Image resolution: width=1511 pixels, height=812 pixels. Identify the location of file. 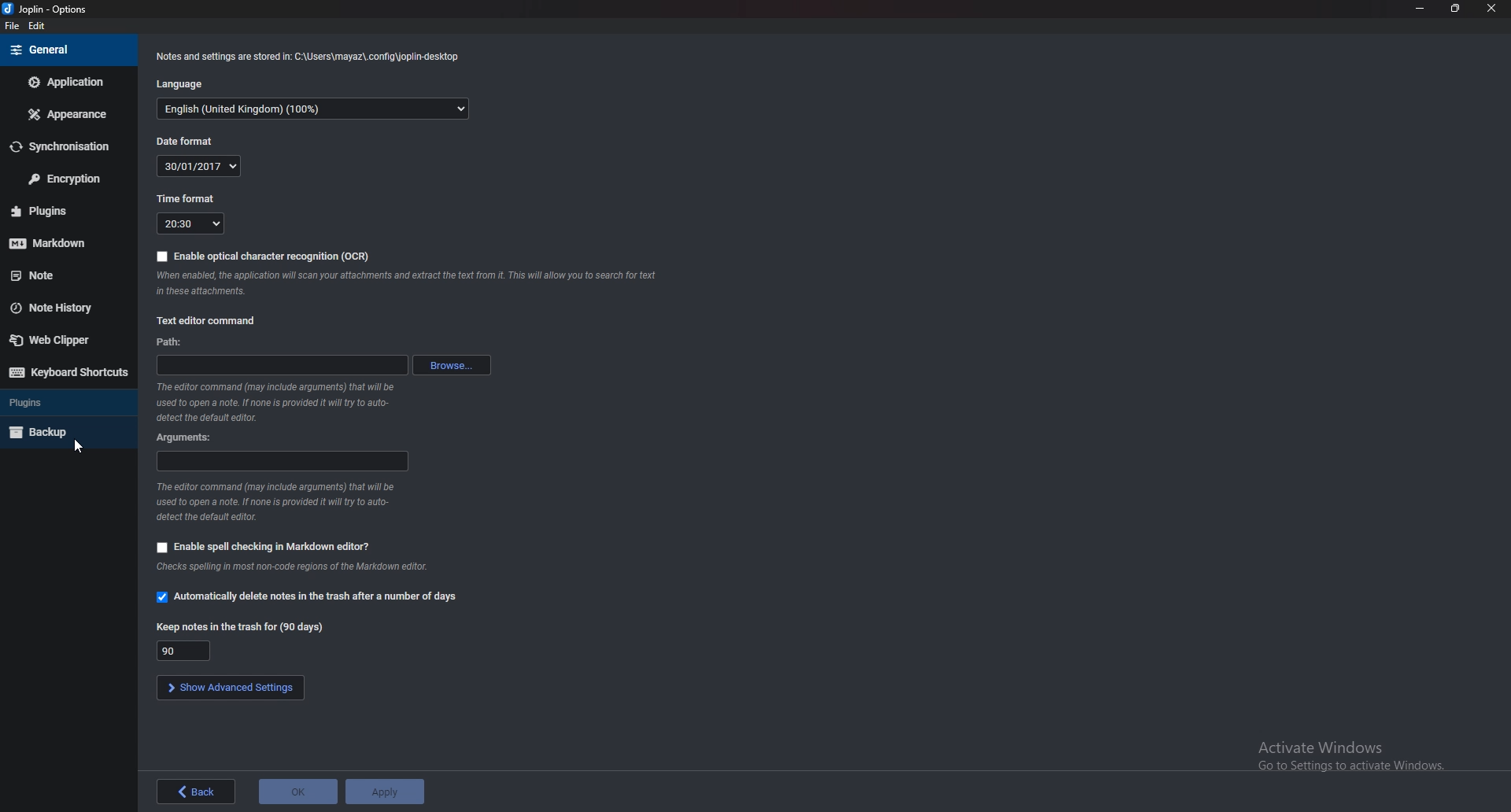
(12, 26).